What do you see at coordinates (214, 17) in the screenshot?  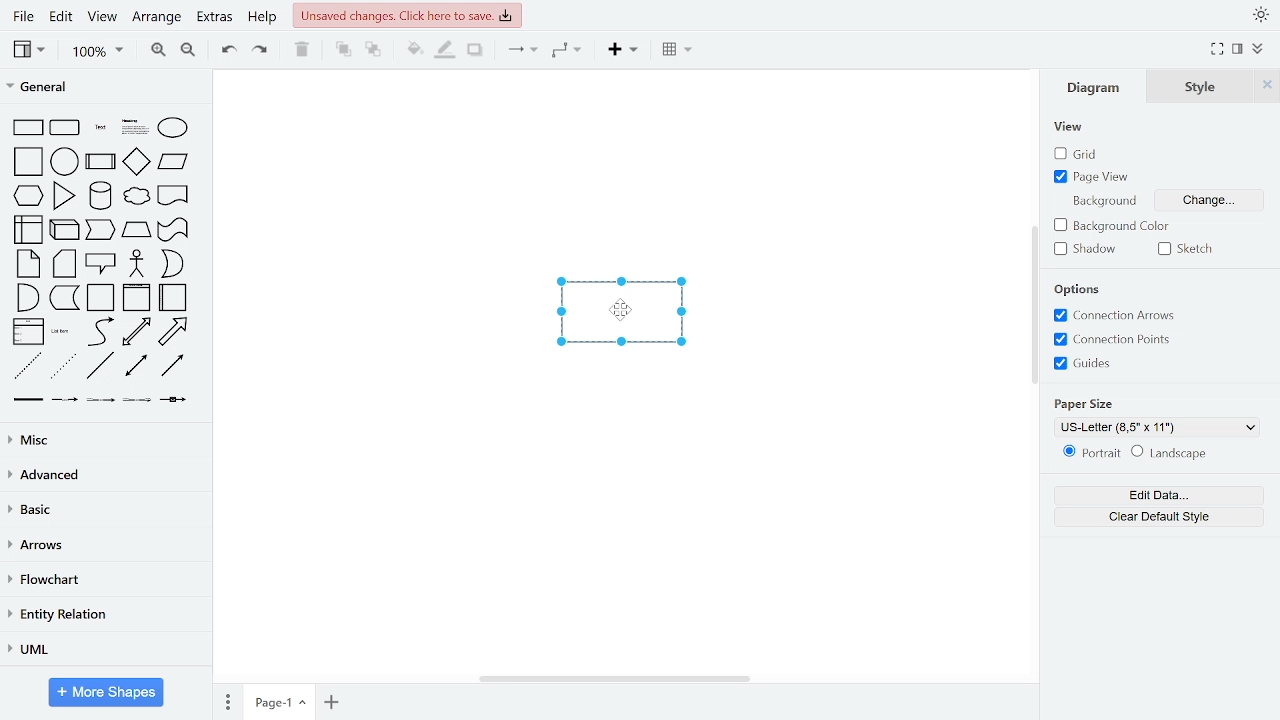 I see `extras` at bounding box center [214, 17].